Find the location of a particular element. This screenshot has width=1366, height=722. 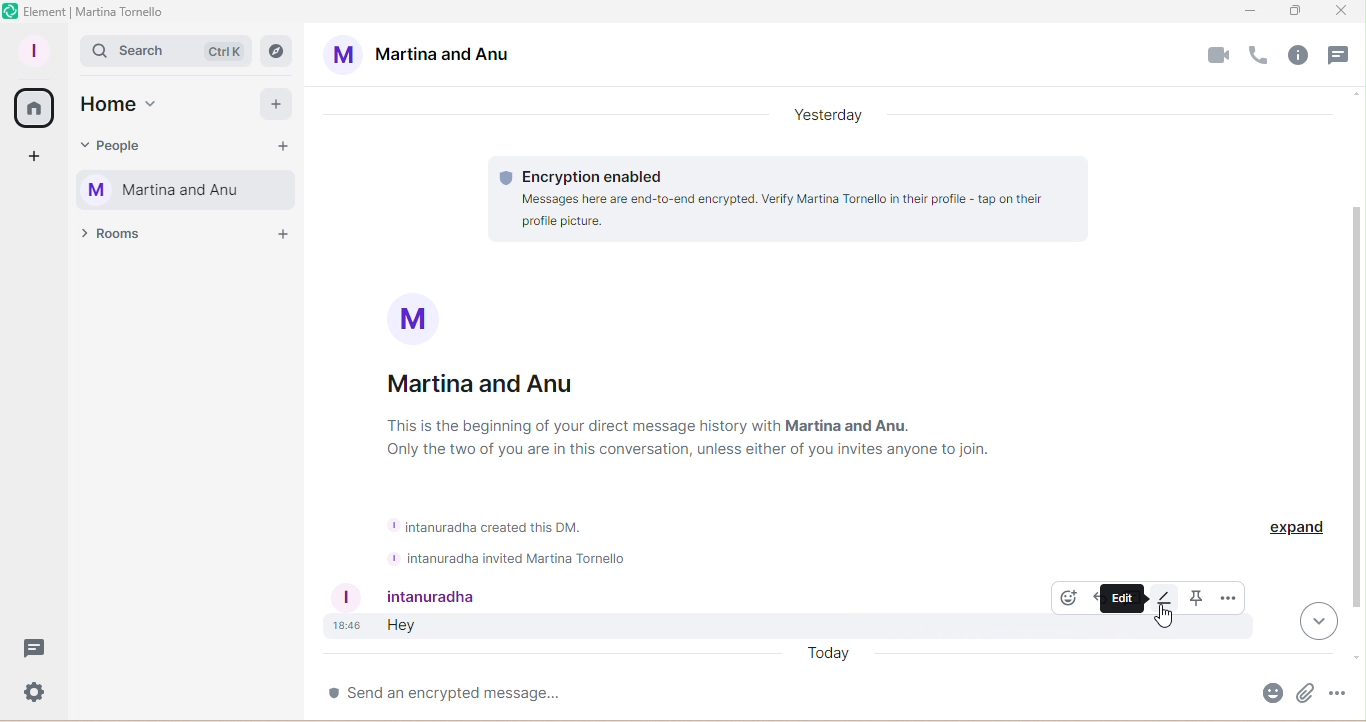

edit is located at coordinates (1124, 597).